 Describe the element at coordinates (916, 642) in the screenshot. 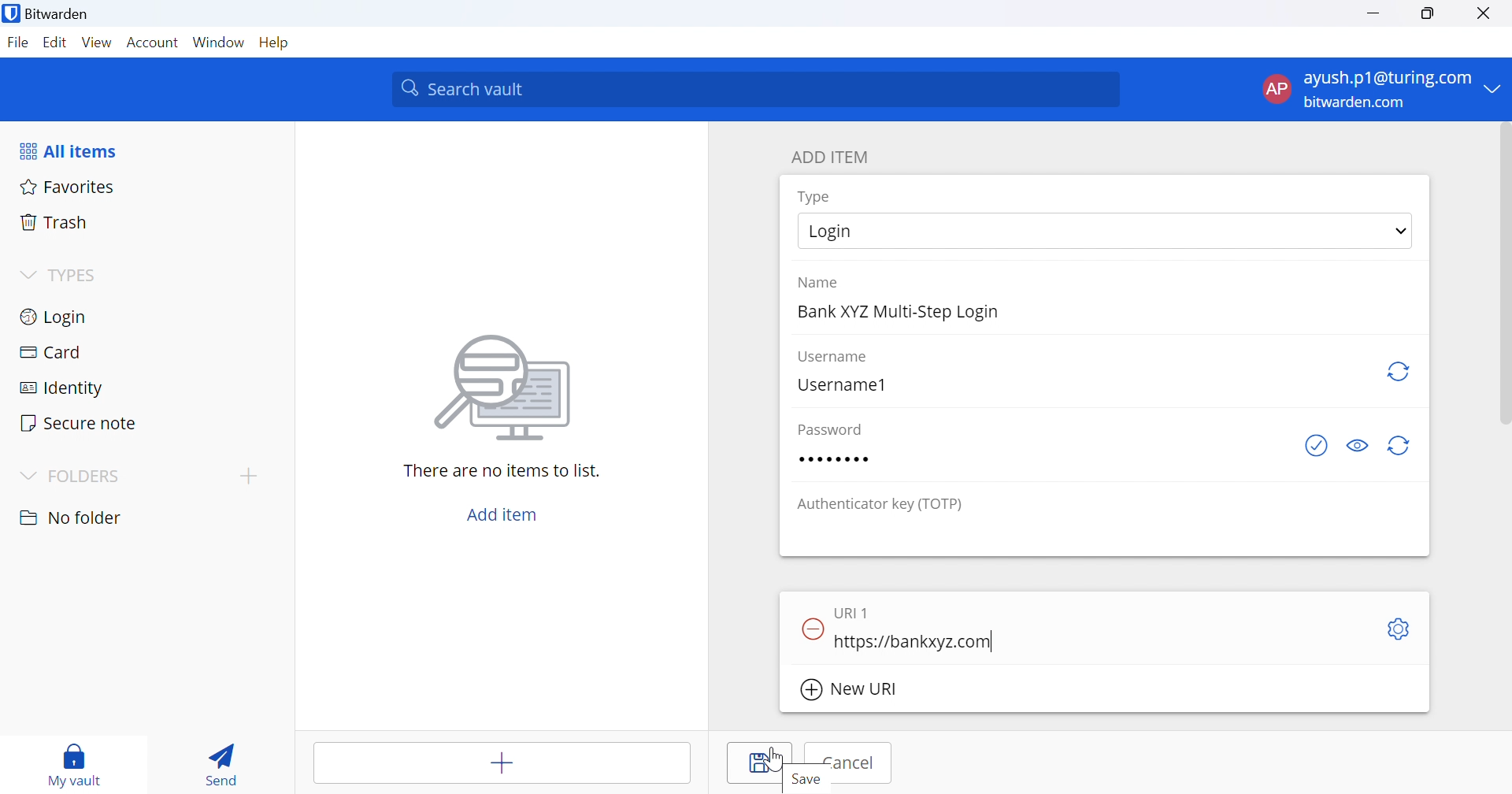

I see `https://bankxyz.com` at that location.